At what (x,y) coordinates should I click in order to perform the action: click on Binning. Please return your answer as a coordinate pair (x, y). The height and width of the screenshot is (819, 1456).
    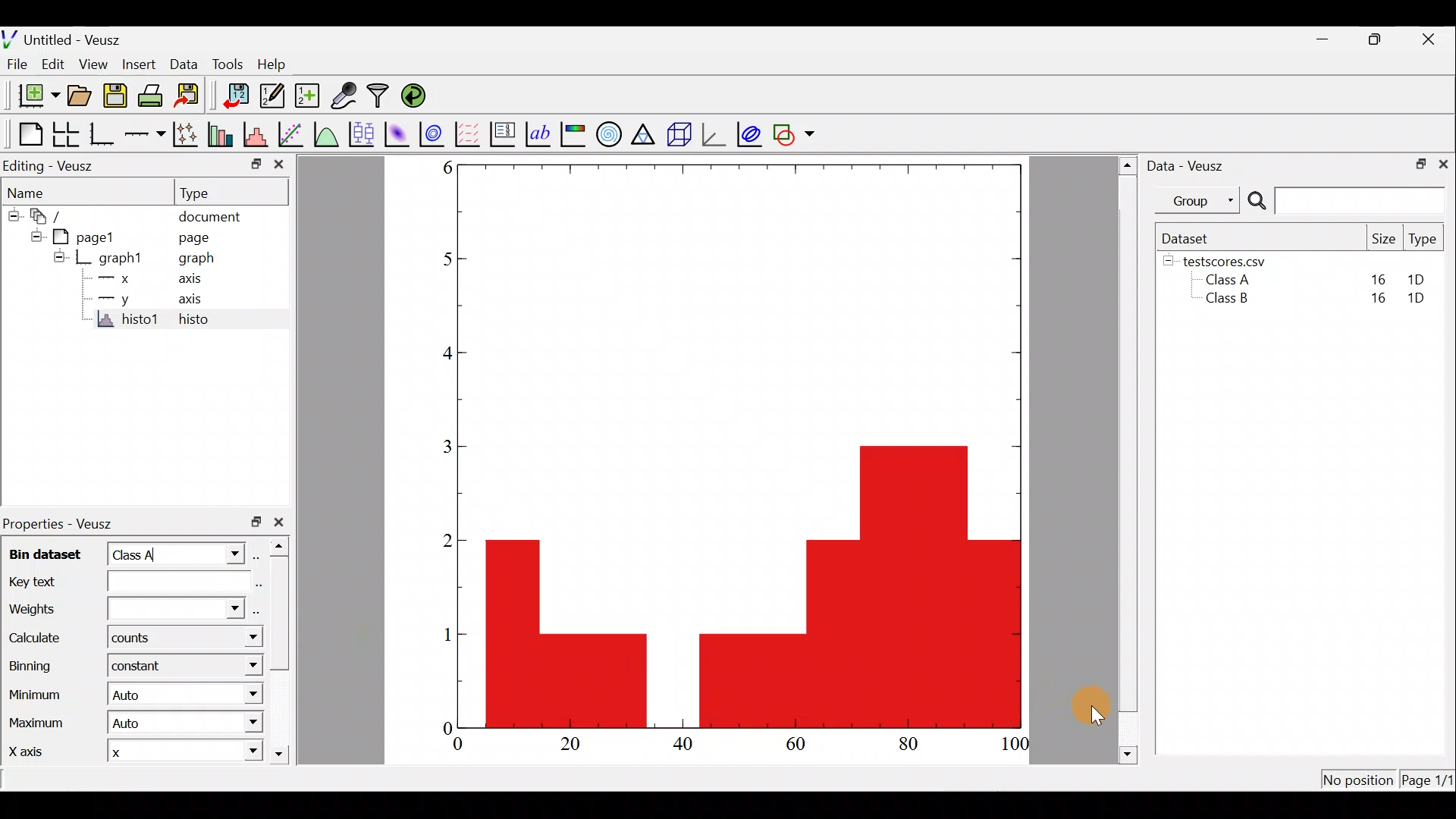
    Looking at the image, I should click on (29, 664).